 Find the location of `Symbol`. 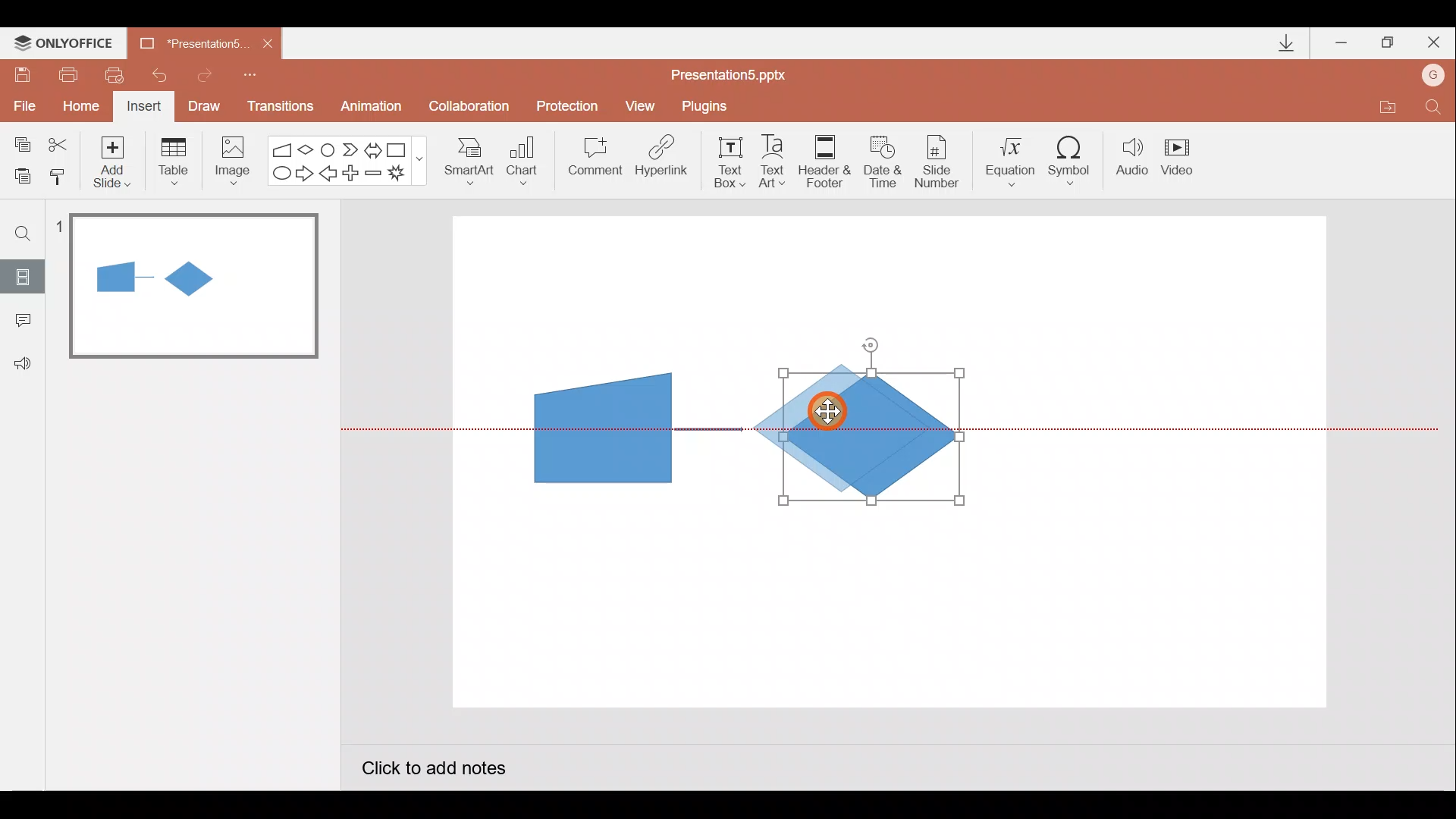

Symbol is located at coordinates (1075, 160).